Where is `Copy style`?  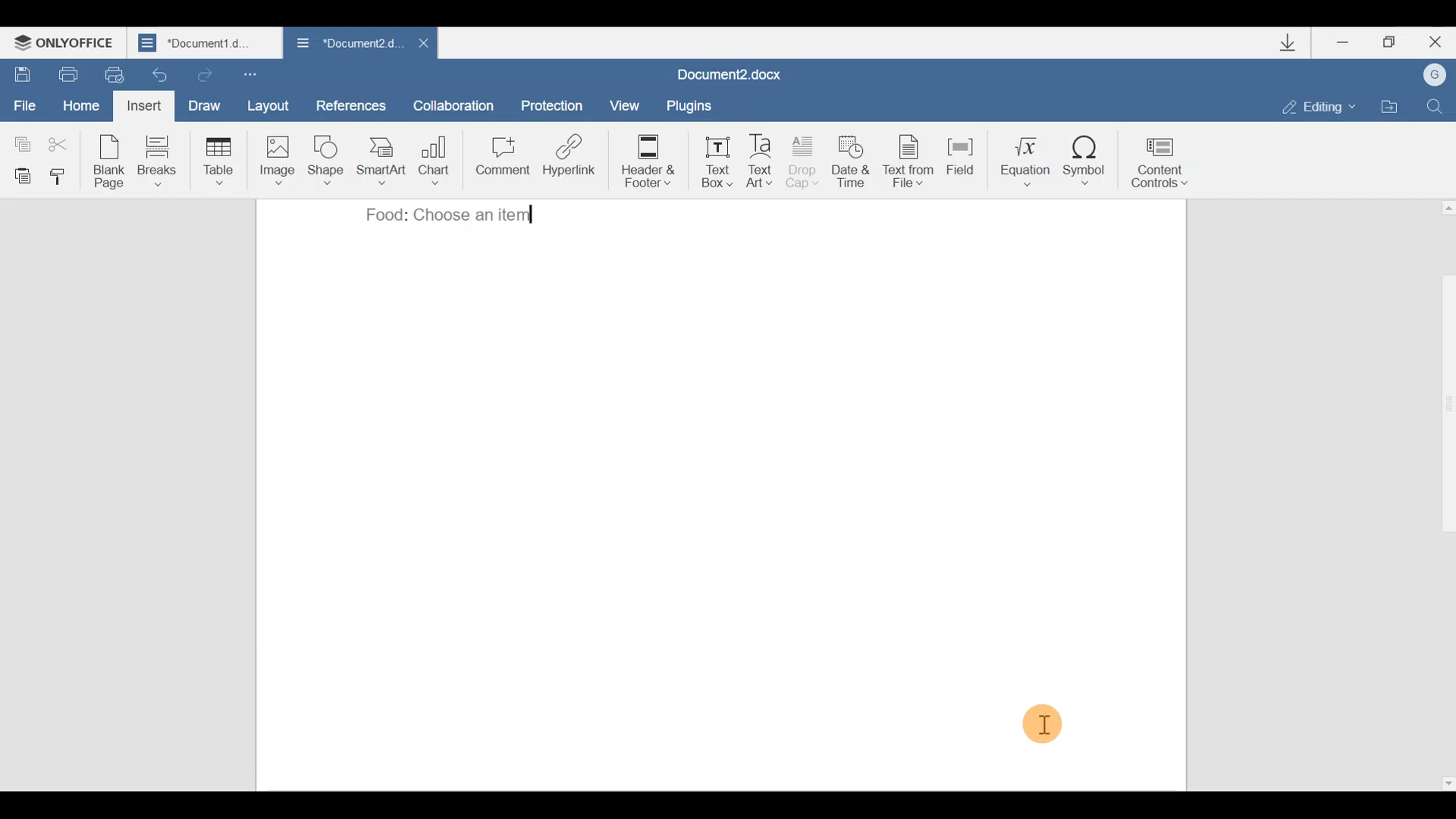
Copy style is located at coordinates (64, 176).